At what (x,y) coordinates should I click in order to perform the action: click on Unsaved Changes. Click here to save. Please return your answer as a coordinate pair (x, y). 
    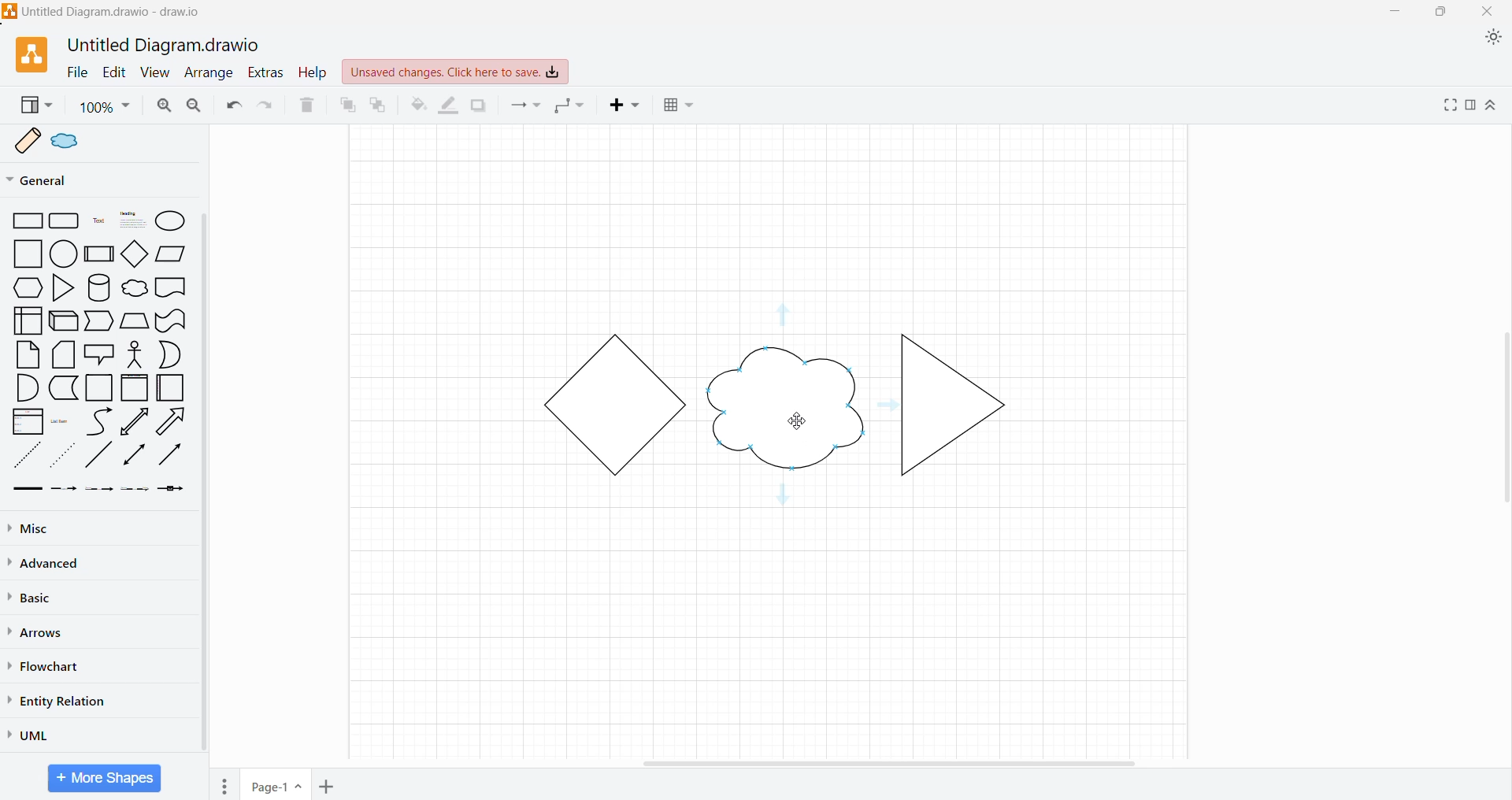
    Looking at the image, I should click on (456, 72).